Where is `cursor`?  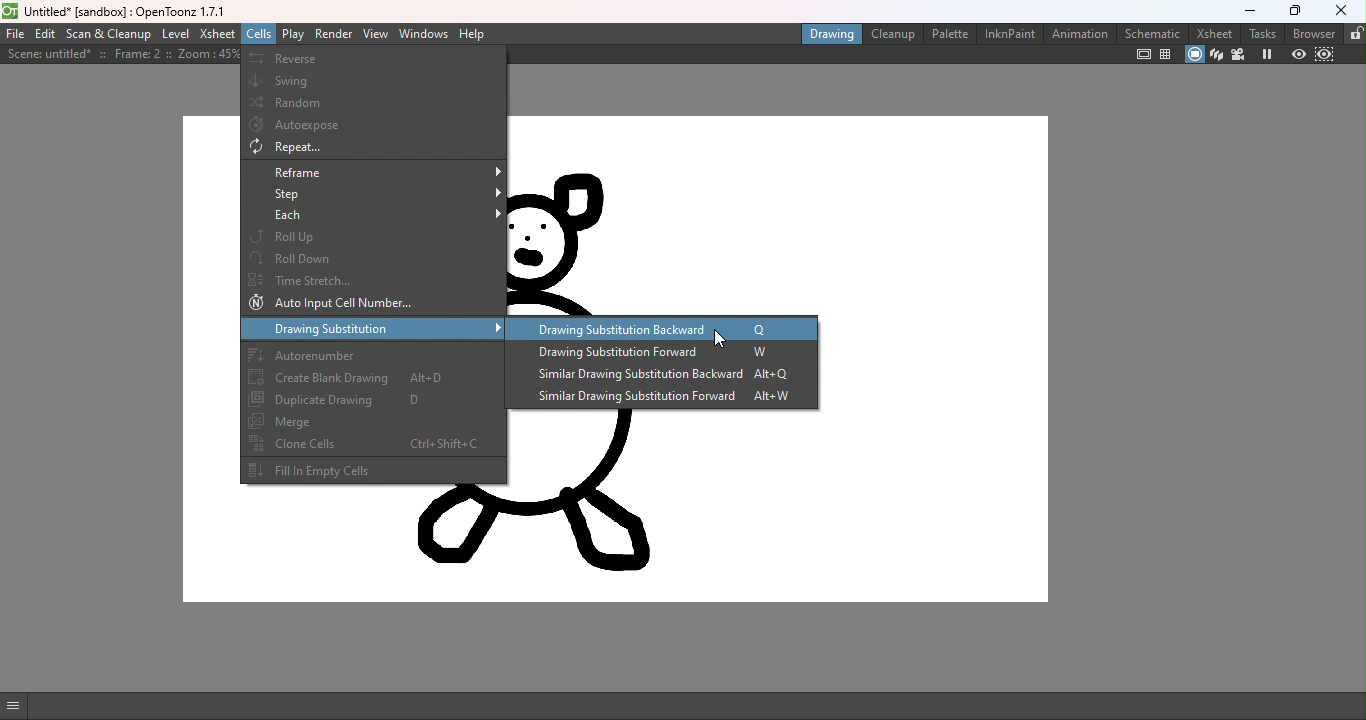 cursor is located at coordinates (725, 341).